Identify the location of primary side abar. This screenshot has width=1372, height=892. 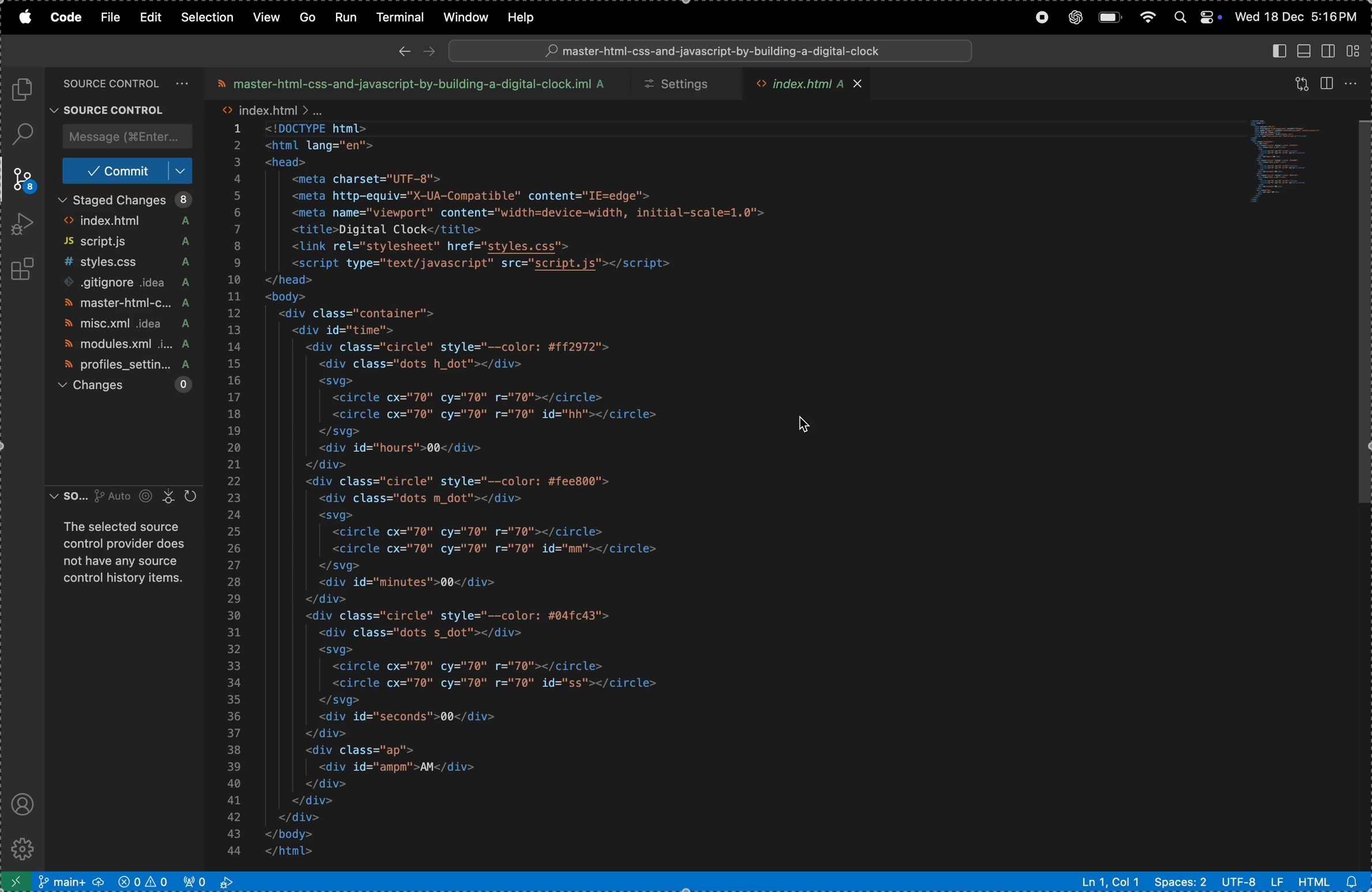
(1272, 50).